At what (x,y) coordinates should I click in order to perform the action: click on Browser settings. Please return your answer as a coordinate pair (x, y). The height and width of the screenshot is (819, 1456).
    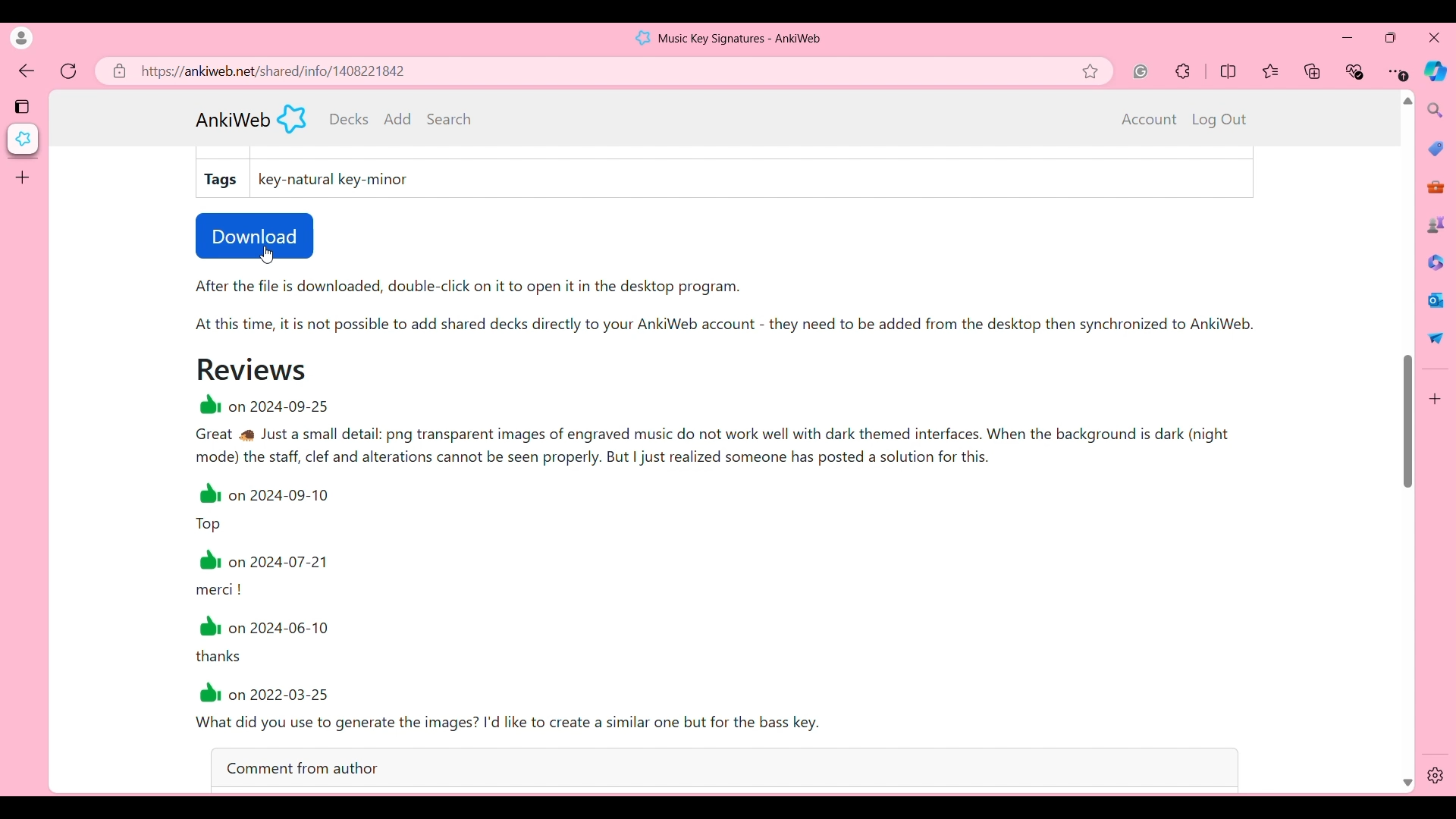
    Looking at the image, I should click on (1398, 71).